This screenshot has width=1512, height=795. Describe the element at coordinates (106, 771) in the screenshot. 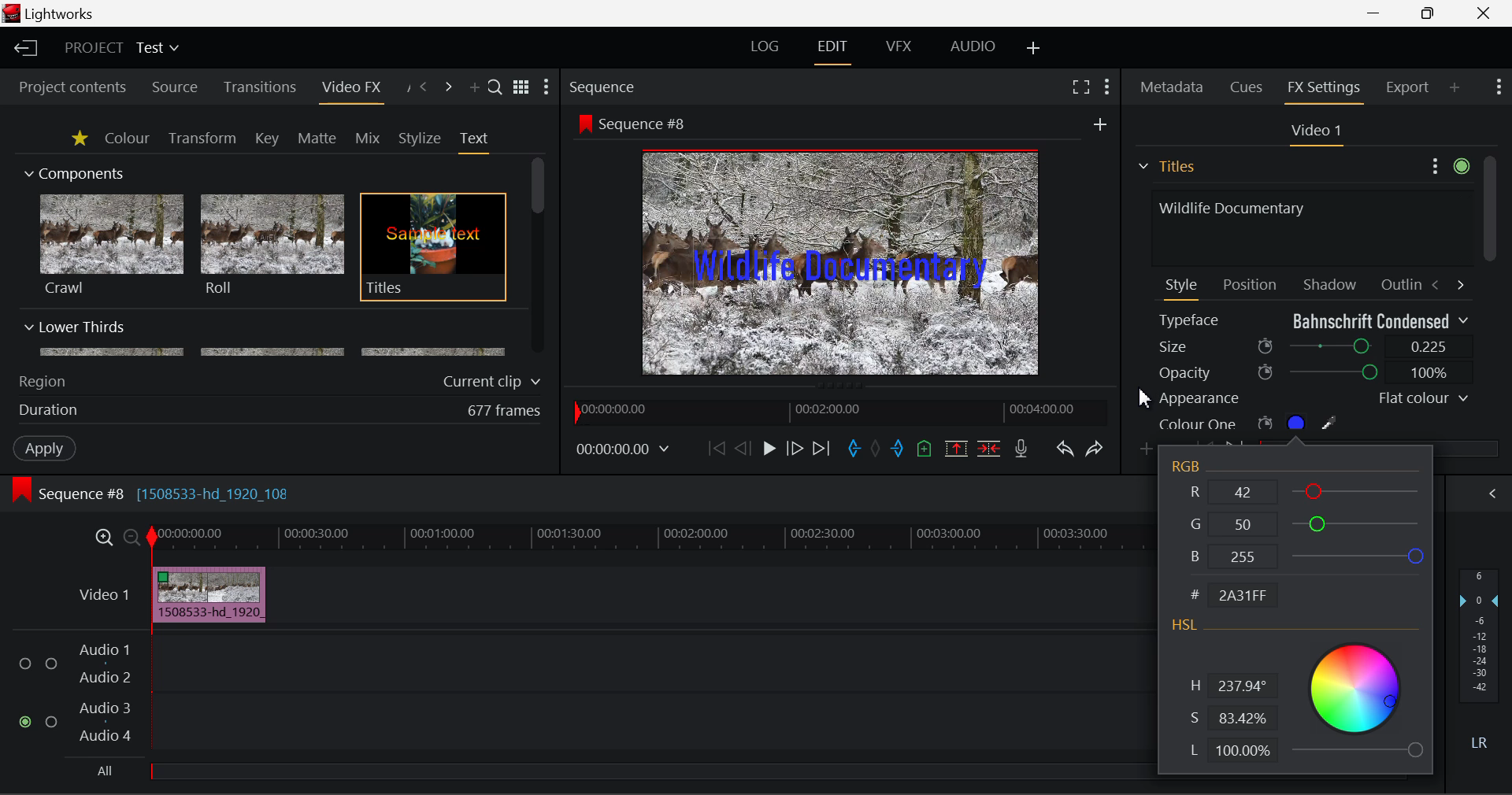

I see `All` at that location.